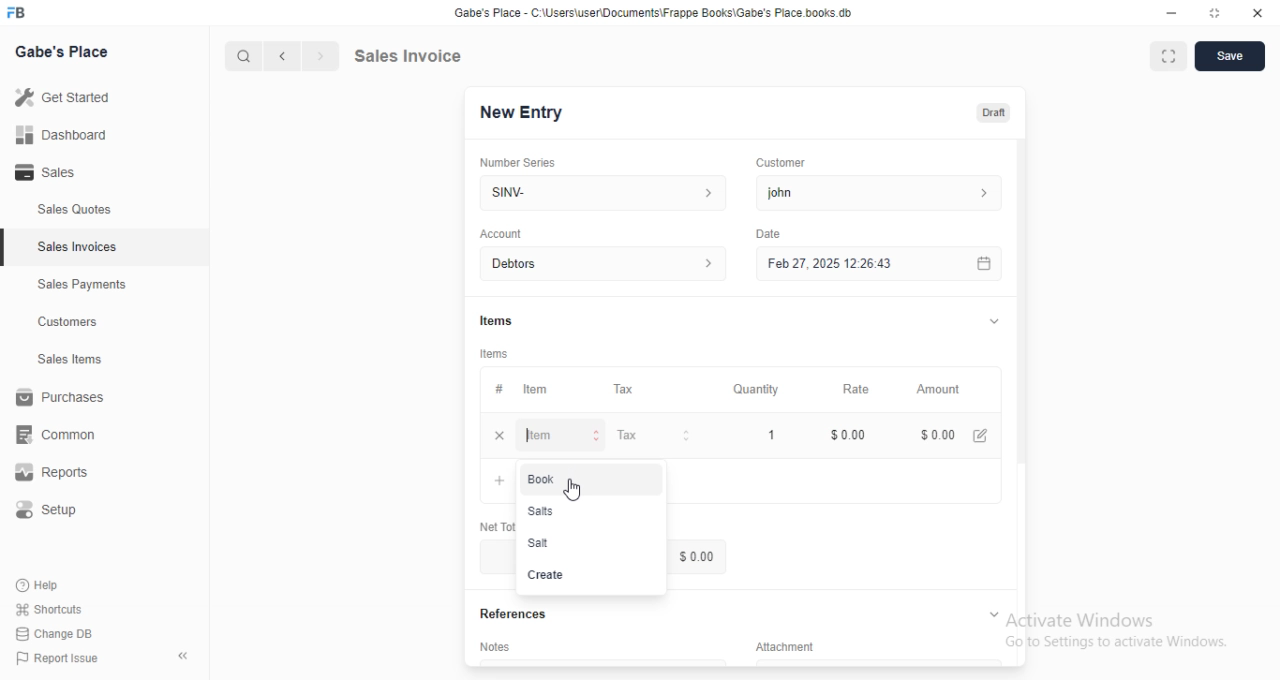  Describe the element at coordinates (61, 135) in the screenshot. I see `Dashboard` at that location.